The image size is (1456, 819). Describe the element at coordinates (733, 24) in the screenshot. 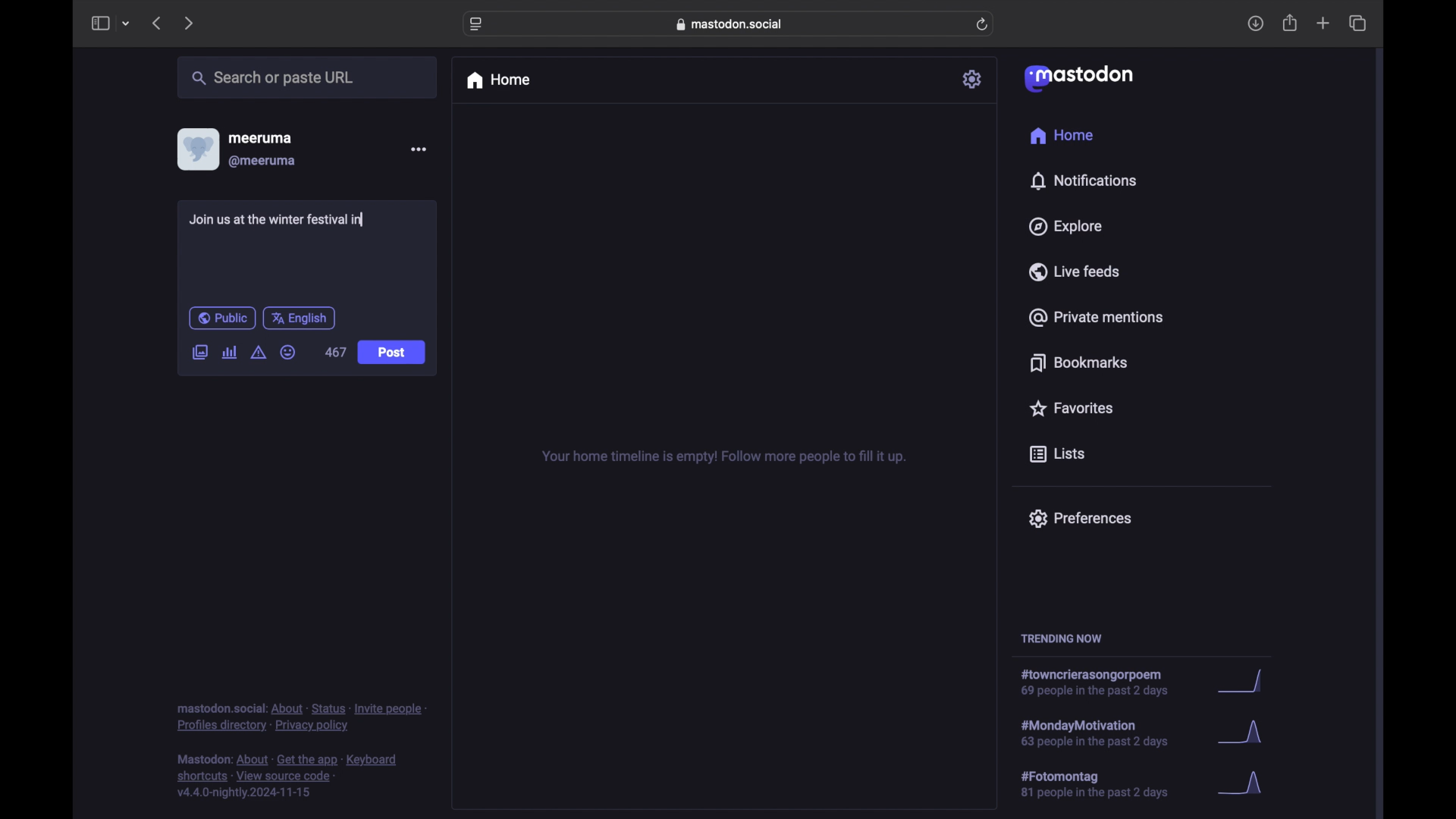

I see `web address` at that location.